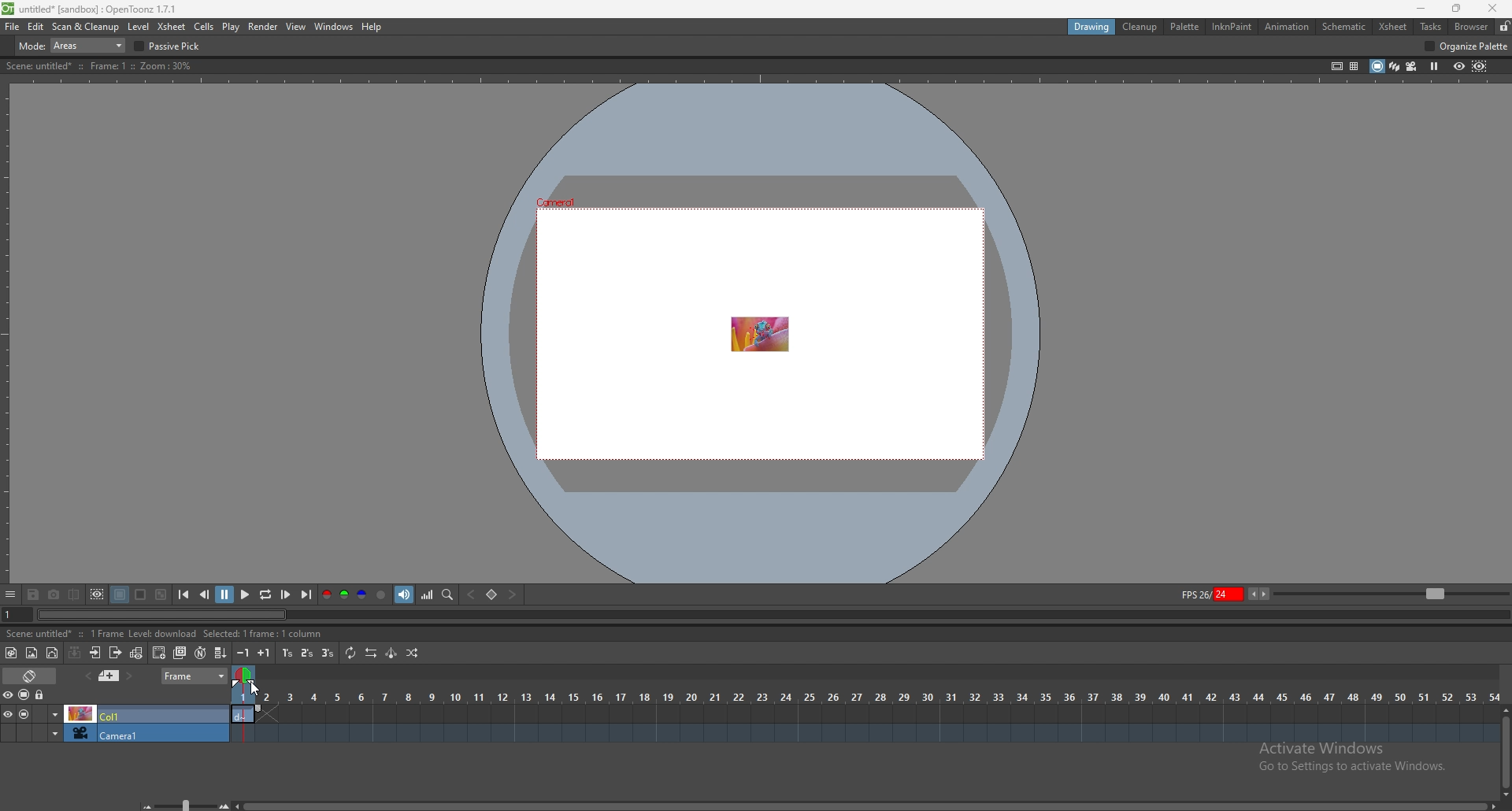  What do you see at coordinates (170, 46) in the screenshot?
I see `passive pick` at bounding box center [170, 46].